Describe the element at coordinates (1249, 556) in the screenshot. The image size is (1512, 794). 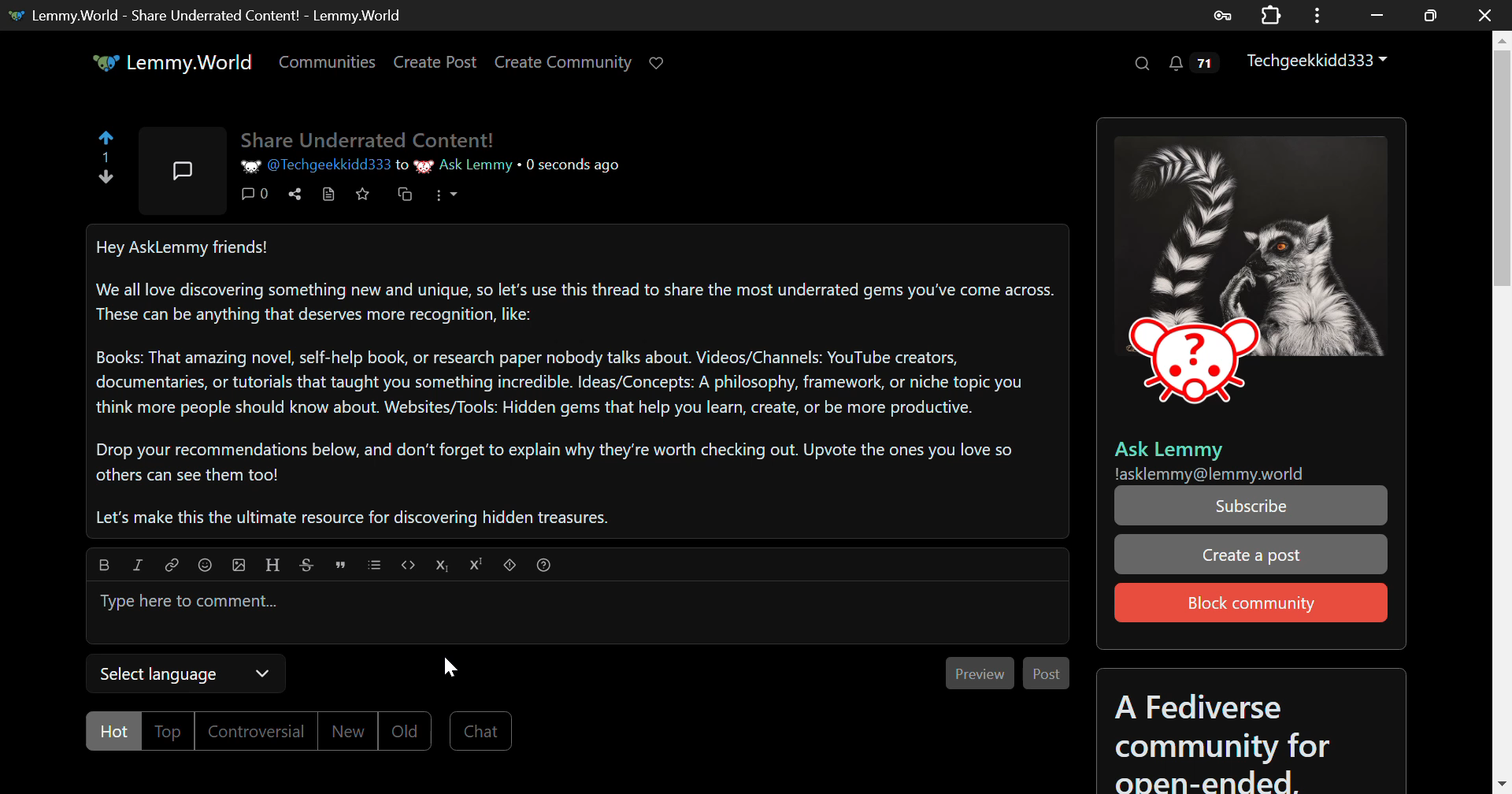
I see `Create a post` at that location.